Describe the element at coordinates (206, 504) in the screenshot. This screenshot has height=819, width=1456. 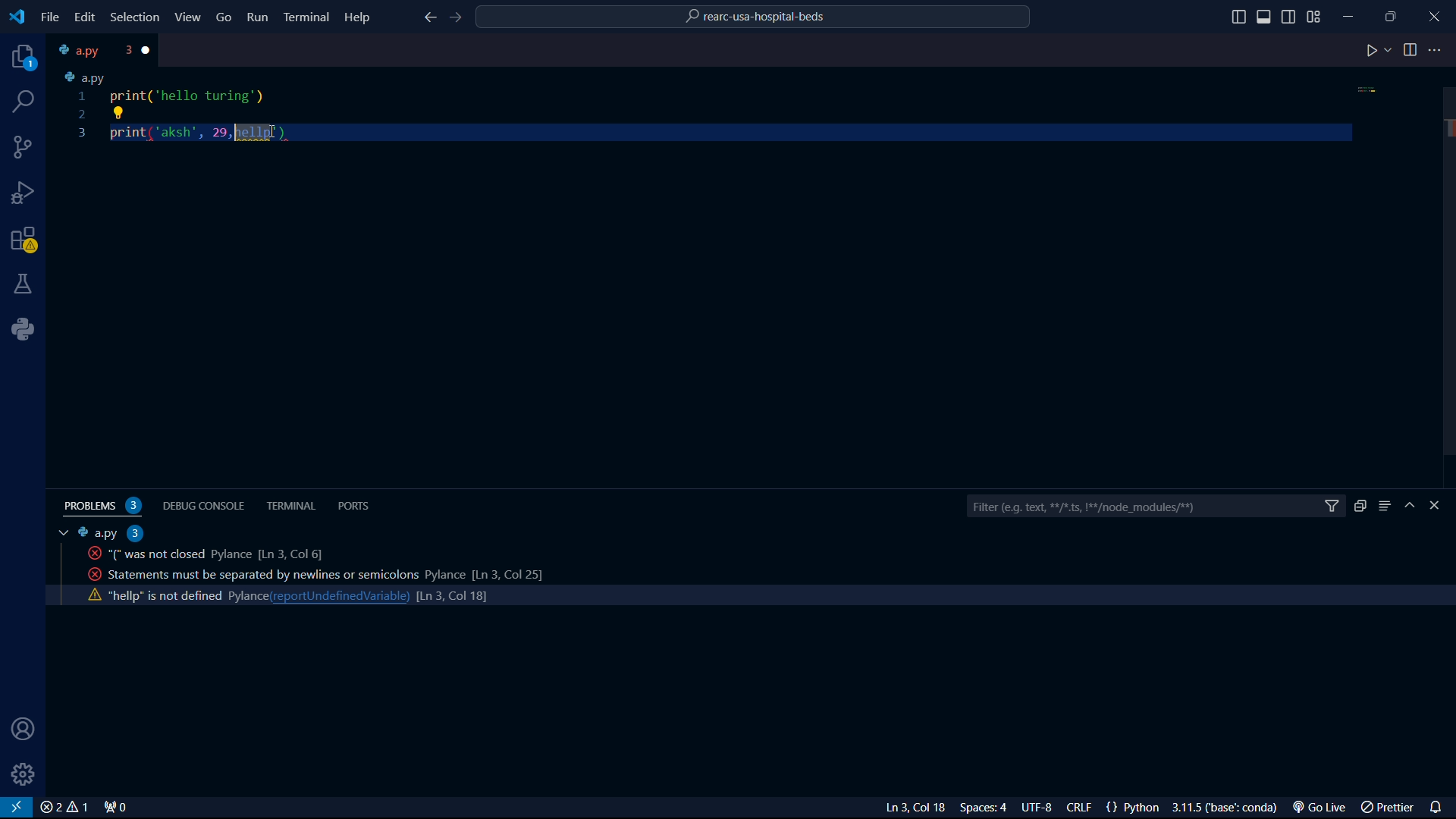
I see `debug console` at that location.